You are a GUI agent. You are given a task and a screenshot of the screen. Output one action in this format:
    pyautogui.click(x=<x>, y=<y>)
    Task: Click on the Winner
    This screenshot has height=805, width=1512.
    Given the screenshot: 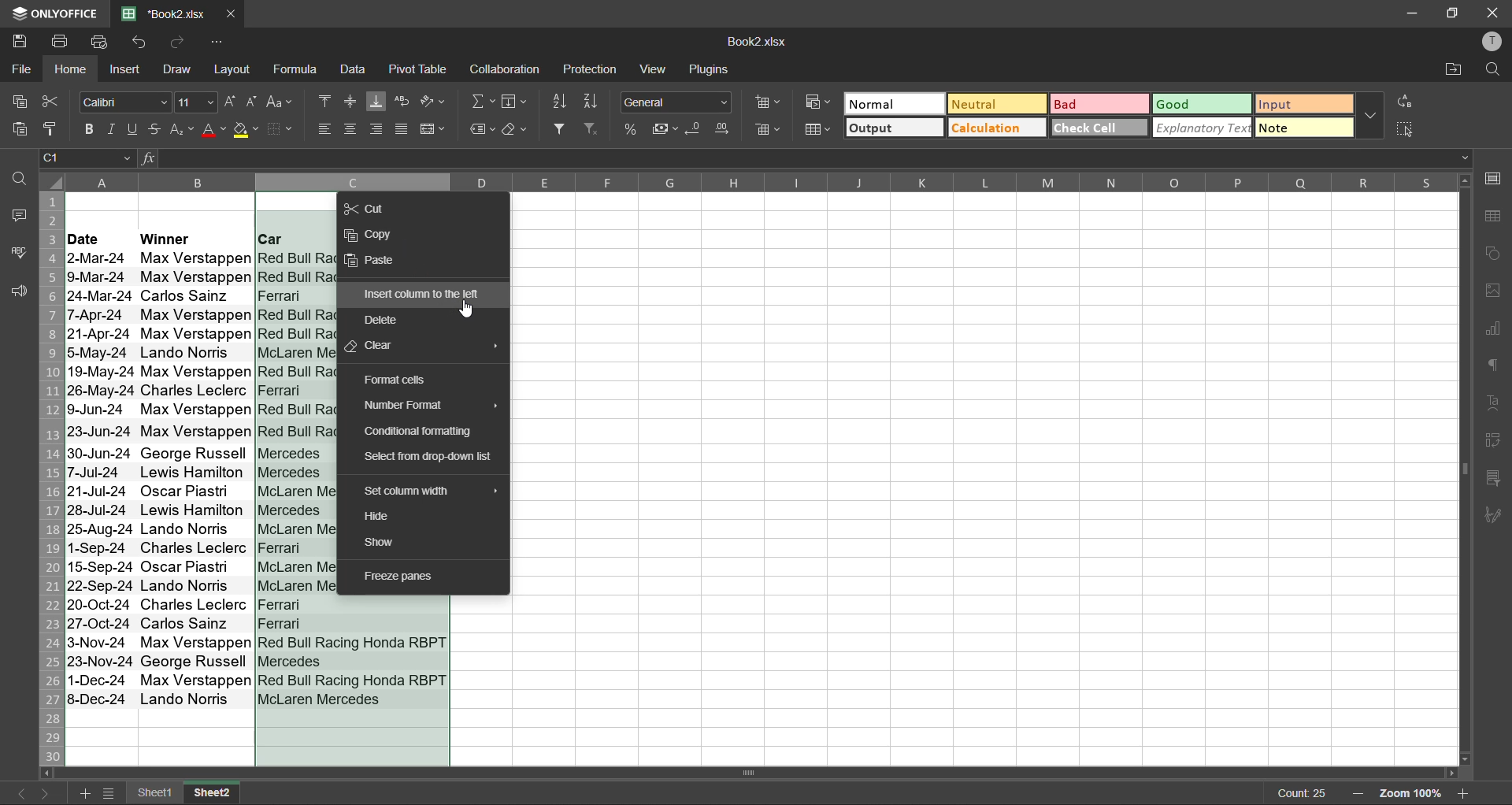 What is the action you would take?
    pyautogui.click(x=194, y=237)
    